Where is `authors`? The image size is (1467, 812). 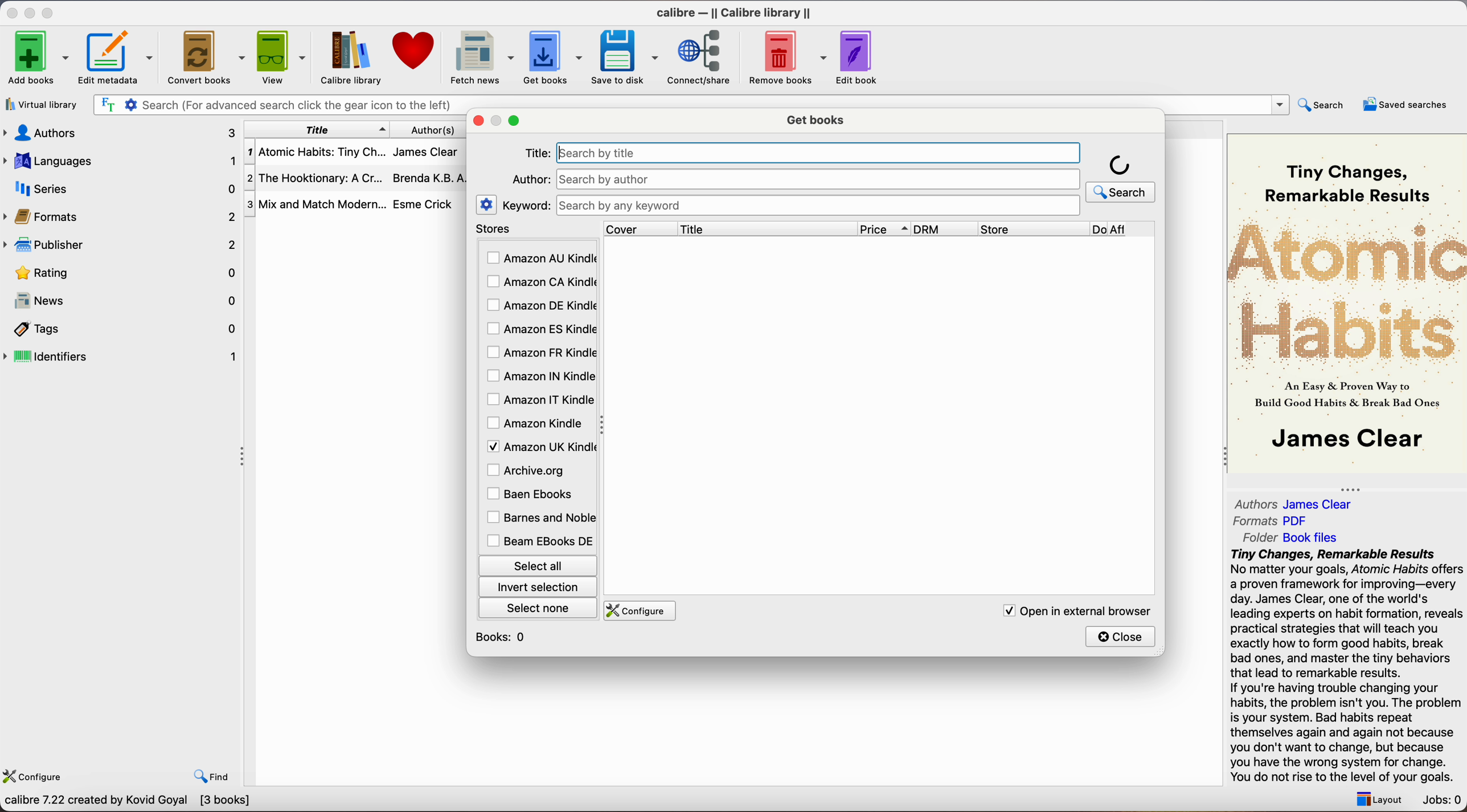
authors is located at coordinates (440, 129).